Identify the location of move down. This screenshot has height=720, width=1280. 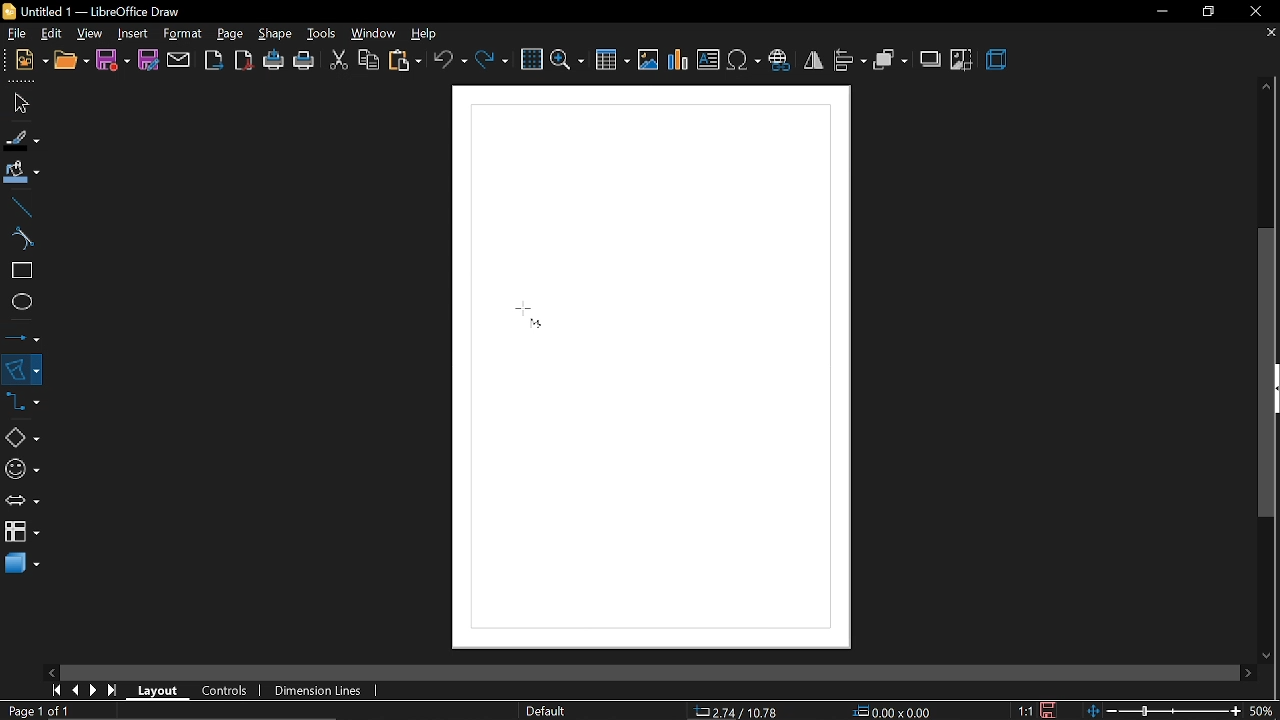
(1268, 653).